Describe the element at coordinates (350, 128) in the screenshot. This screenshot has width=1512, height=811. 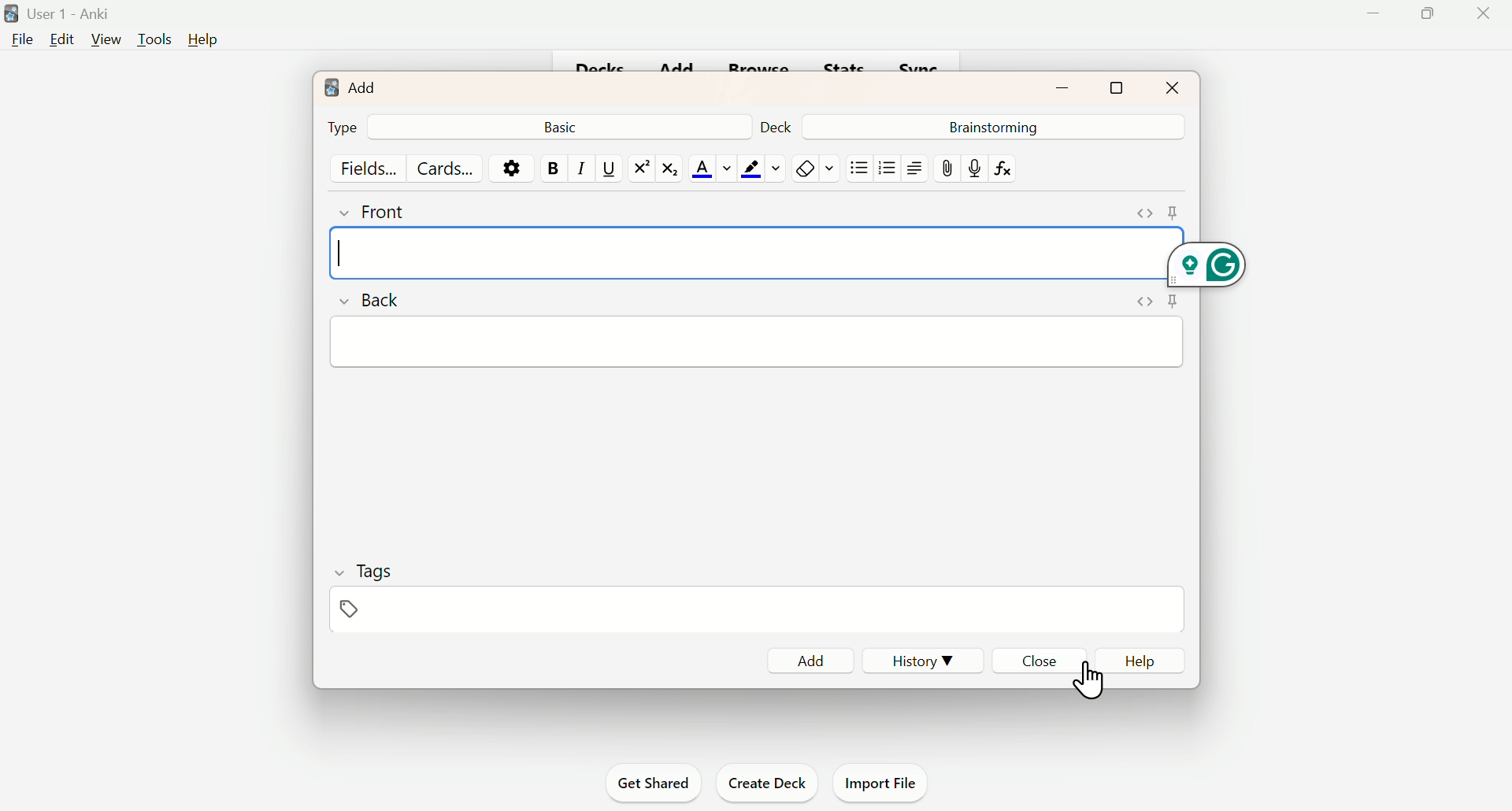
I see `` at that location.